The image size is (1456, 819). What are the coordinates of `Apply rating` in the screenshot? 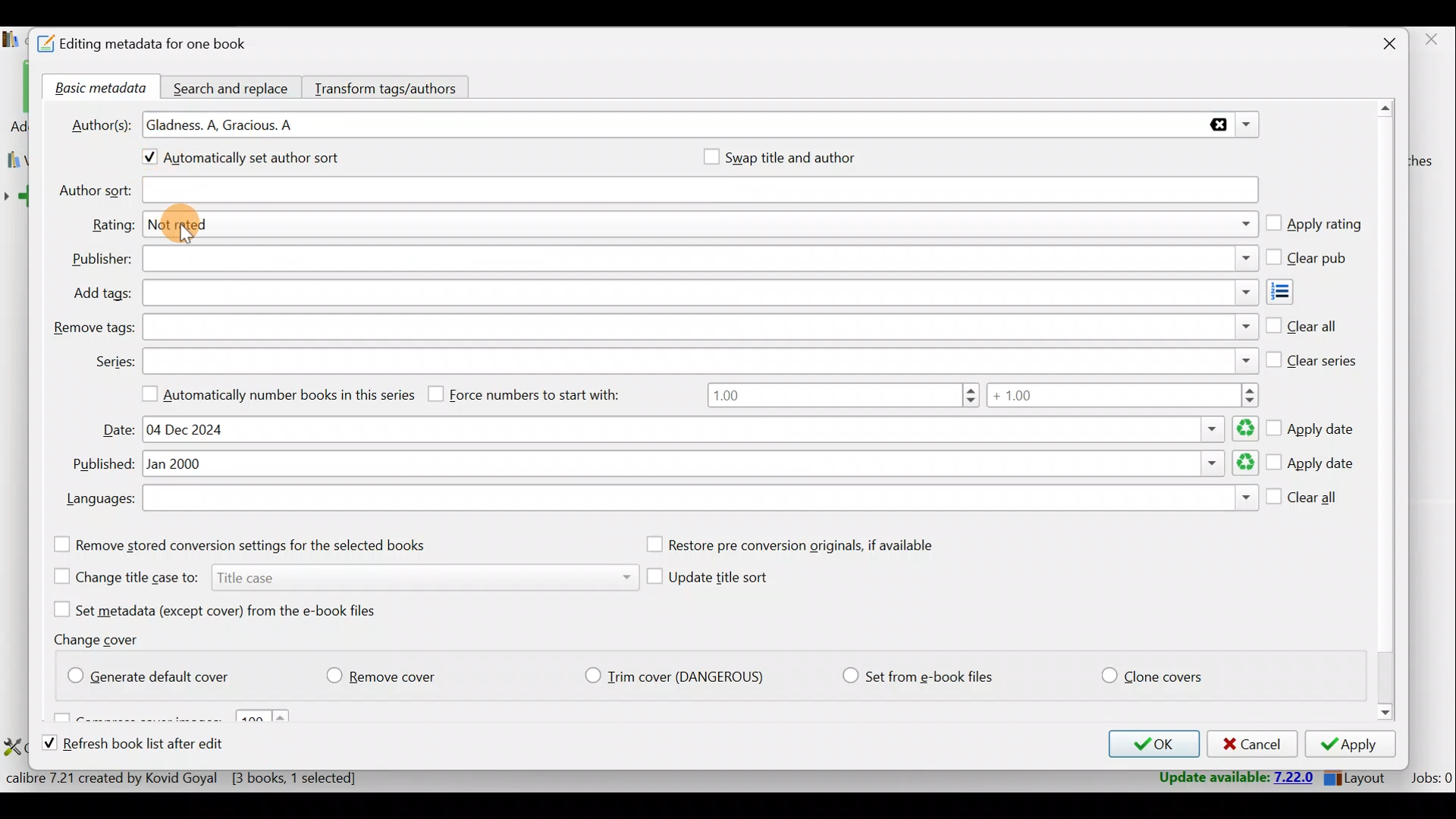 It's located at (1313, 225).